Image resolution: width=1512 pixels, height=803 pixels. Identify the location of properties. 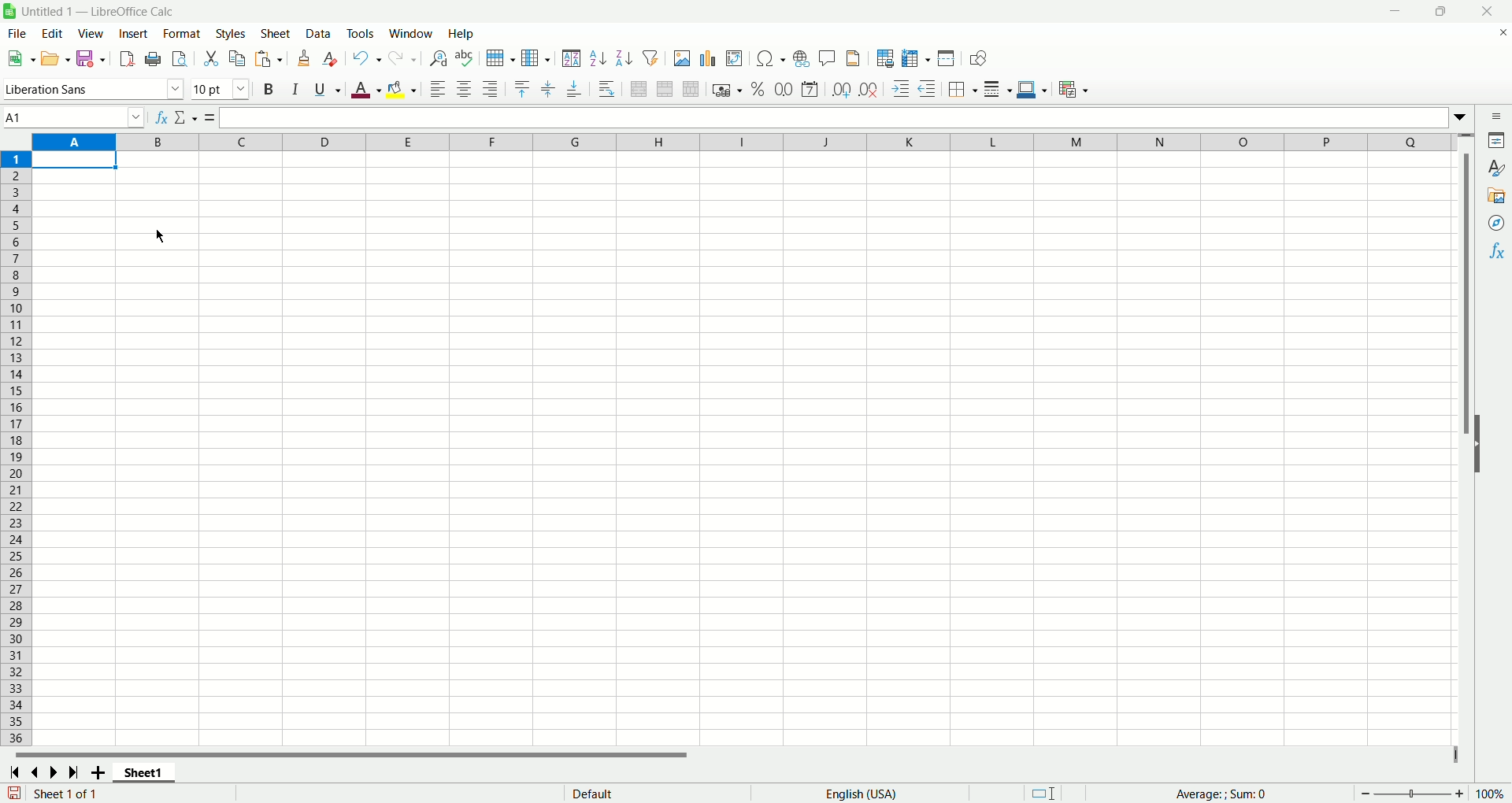
(1494, 139).